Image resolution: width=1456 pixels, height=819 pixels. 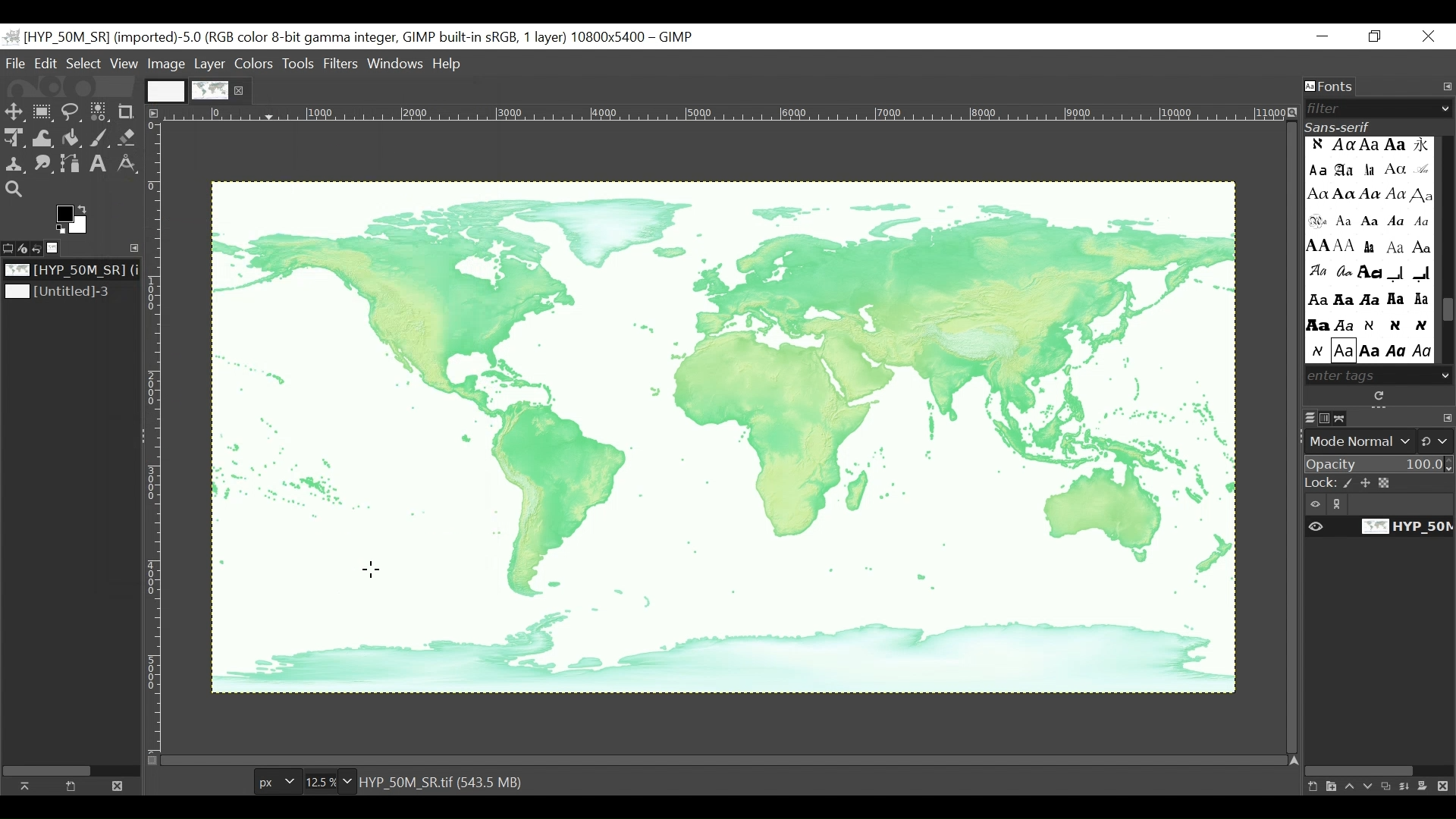 I want to click on Colors, so click(x=256, y=63).